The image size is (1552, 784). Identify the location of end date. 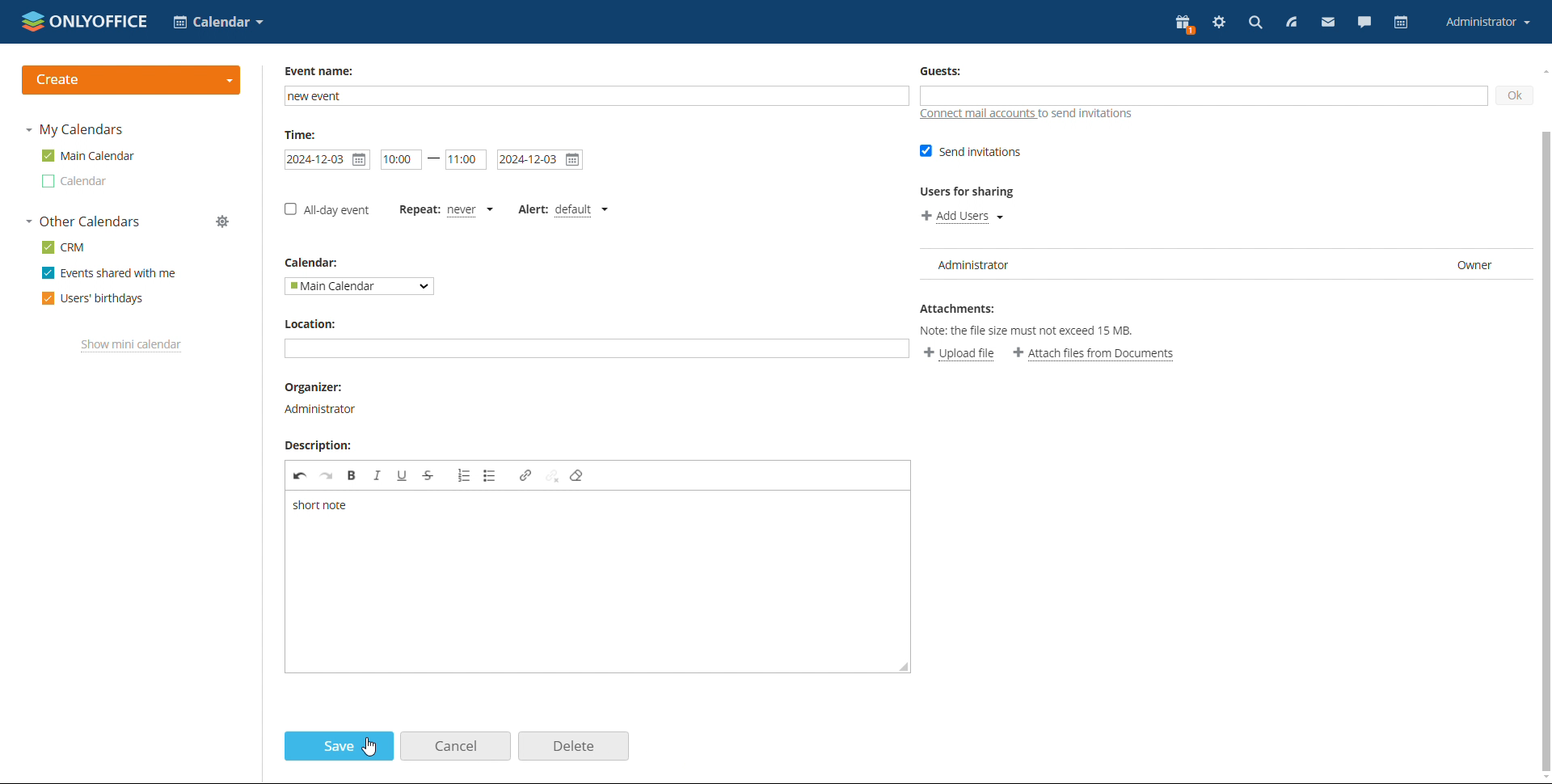
(538, 160).